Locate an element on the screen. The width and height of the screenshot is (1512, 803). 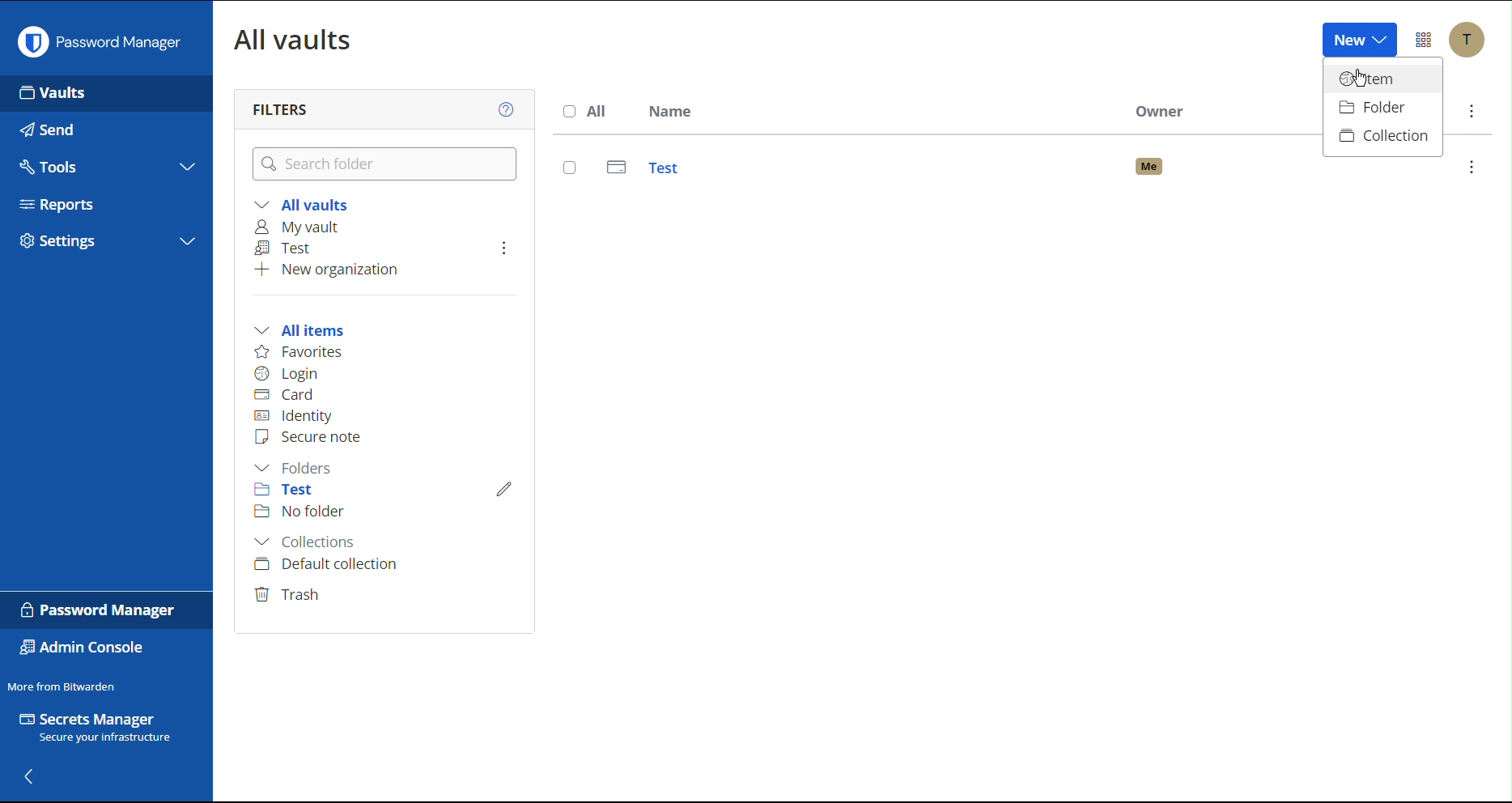
Card is located at coordinates (287, 393).